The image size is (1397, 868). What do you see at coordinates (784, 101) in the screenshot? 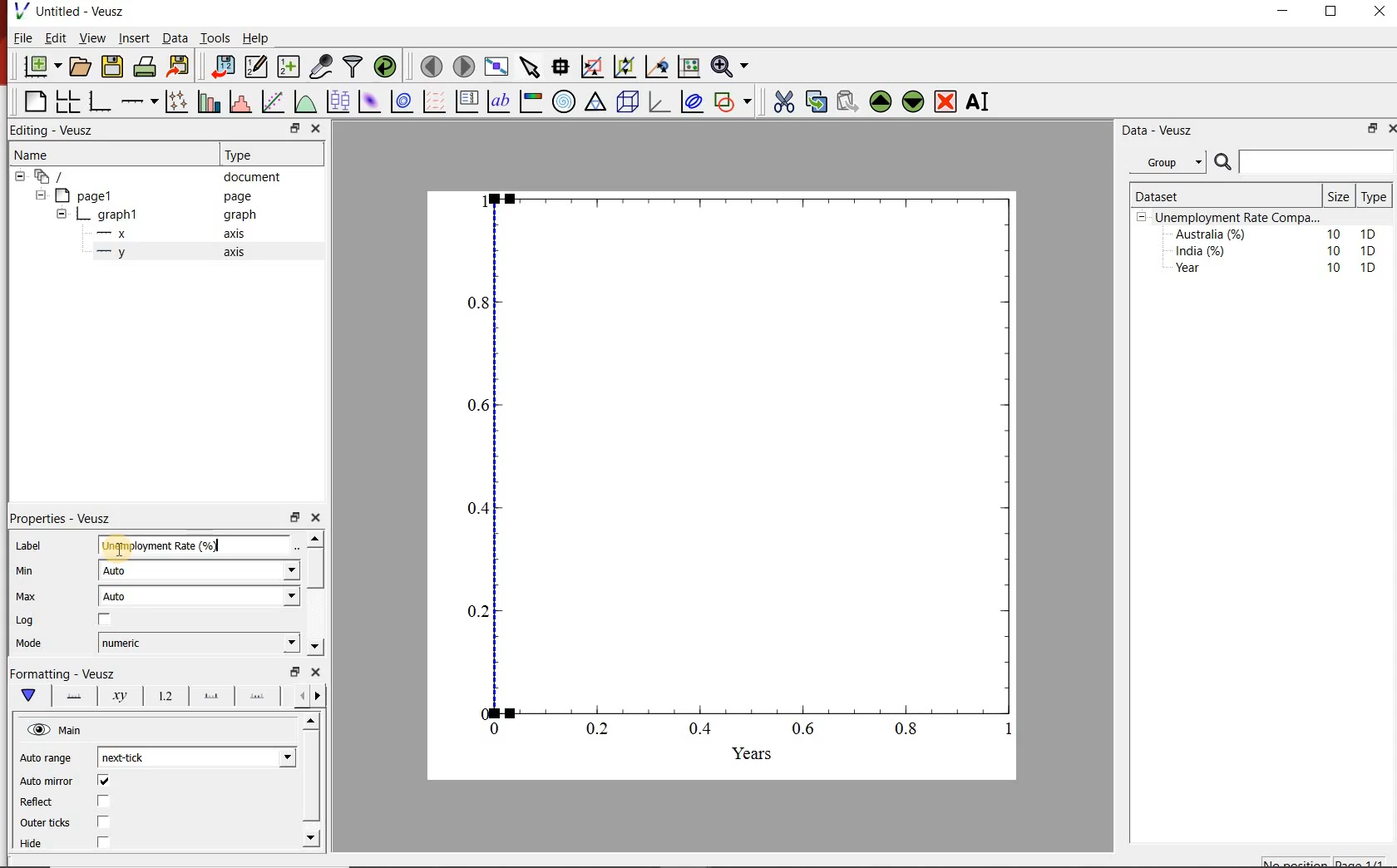
I see `cut the widgets` at bounding box center [784, 101].